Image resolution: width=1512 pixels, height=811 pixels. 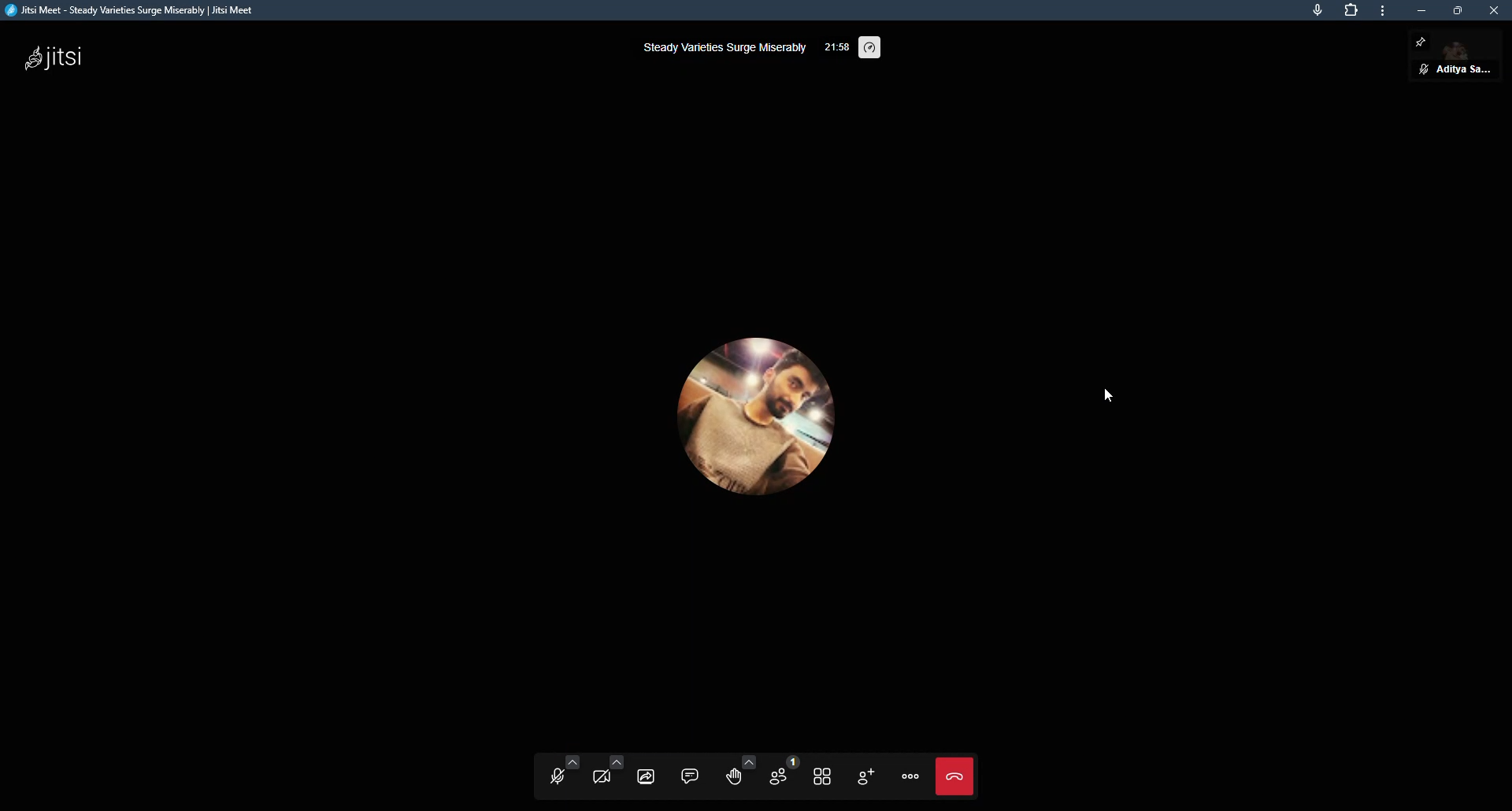 What do you see at coordinates (1423, 43) in the screenshot?
I see `pin` at bounding box center [1423, 43].